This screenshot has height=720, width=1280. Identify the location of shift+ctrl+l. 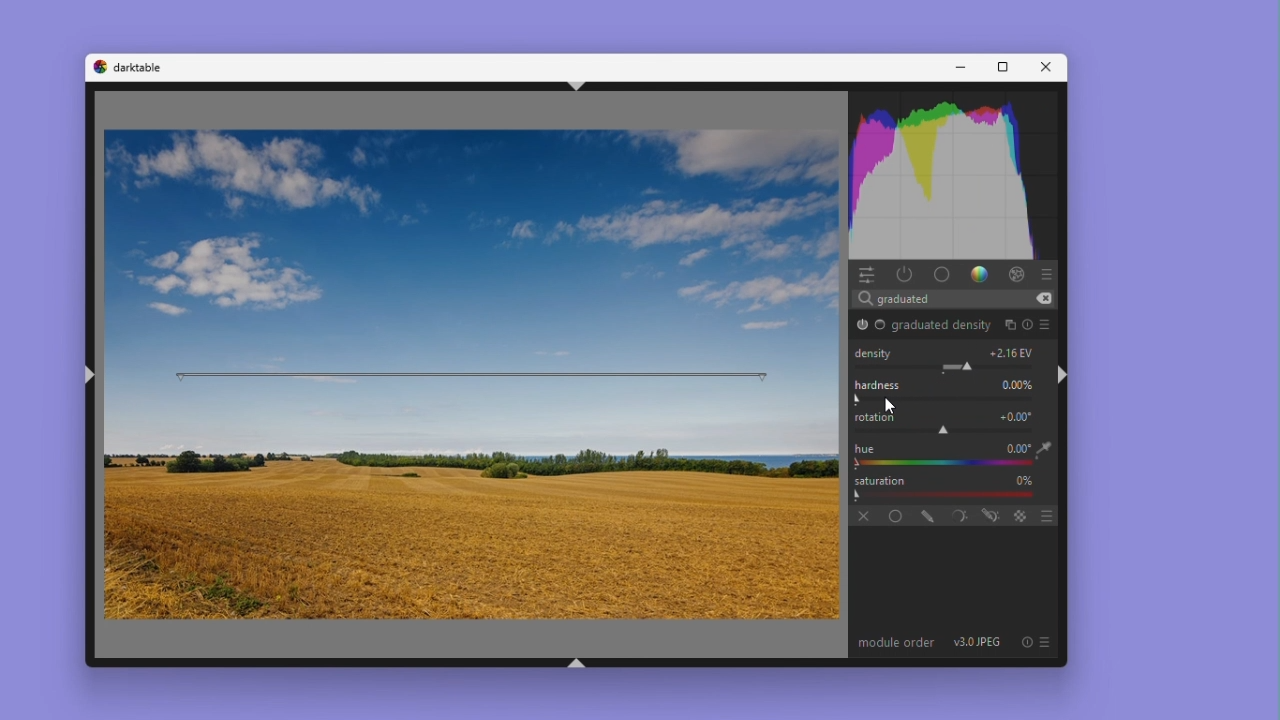
(93, 378).